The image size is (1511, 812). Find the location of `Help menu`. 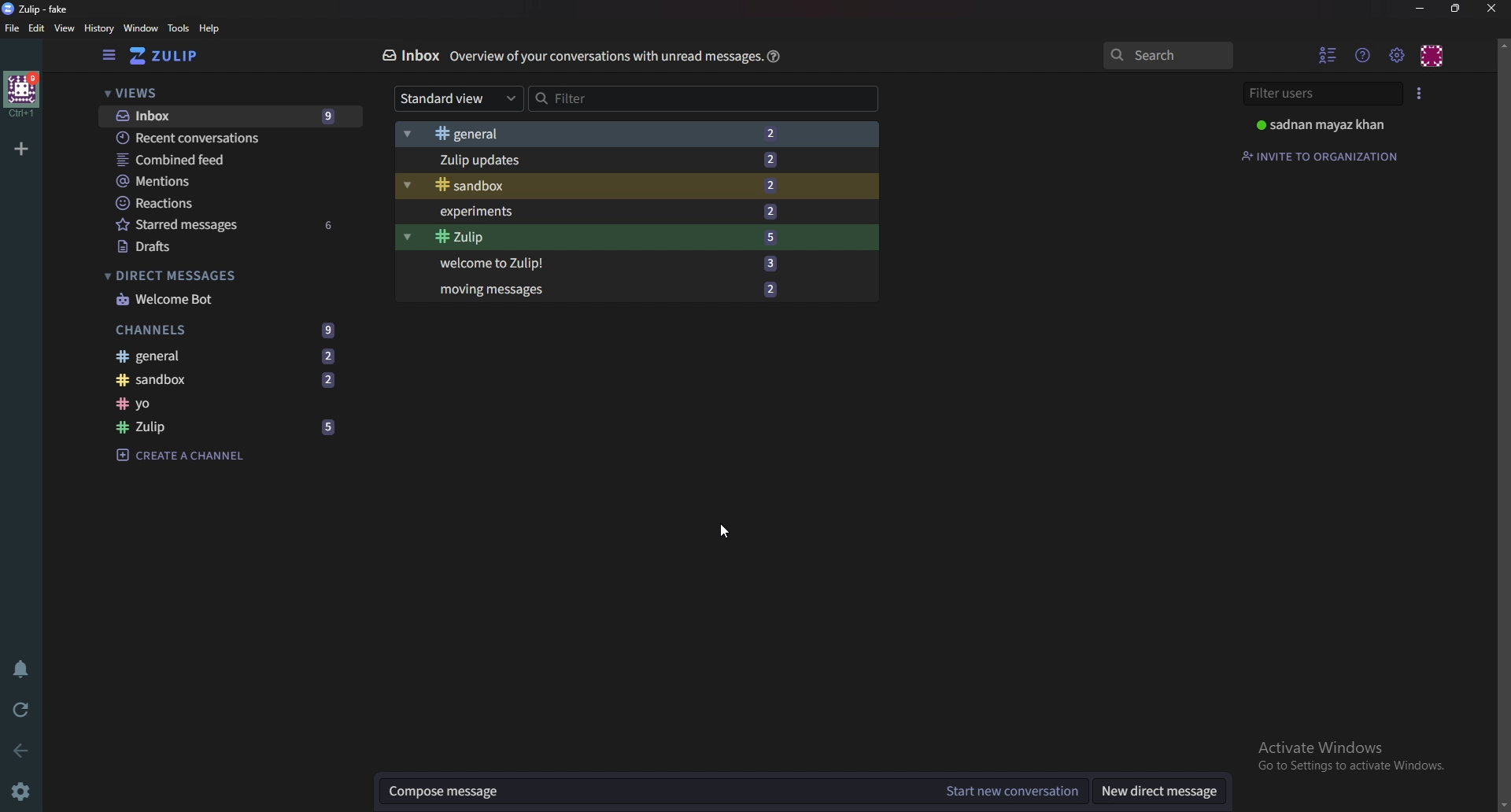

Help menu is located at coordinates (1363, 54).